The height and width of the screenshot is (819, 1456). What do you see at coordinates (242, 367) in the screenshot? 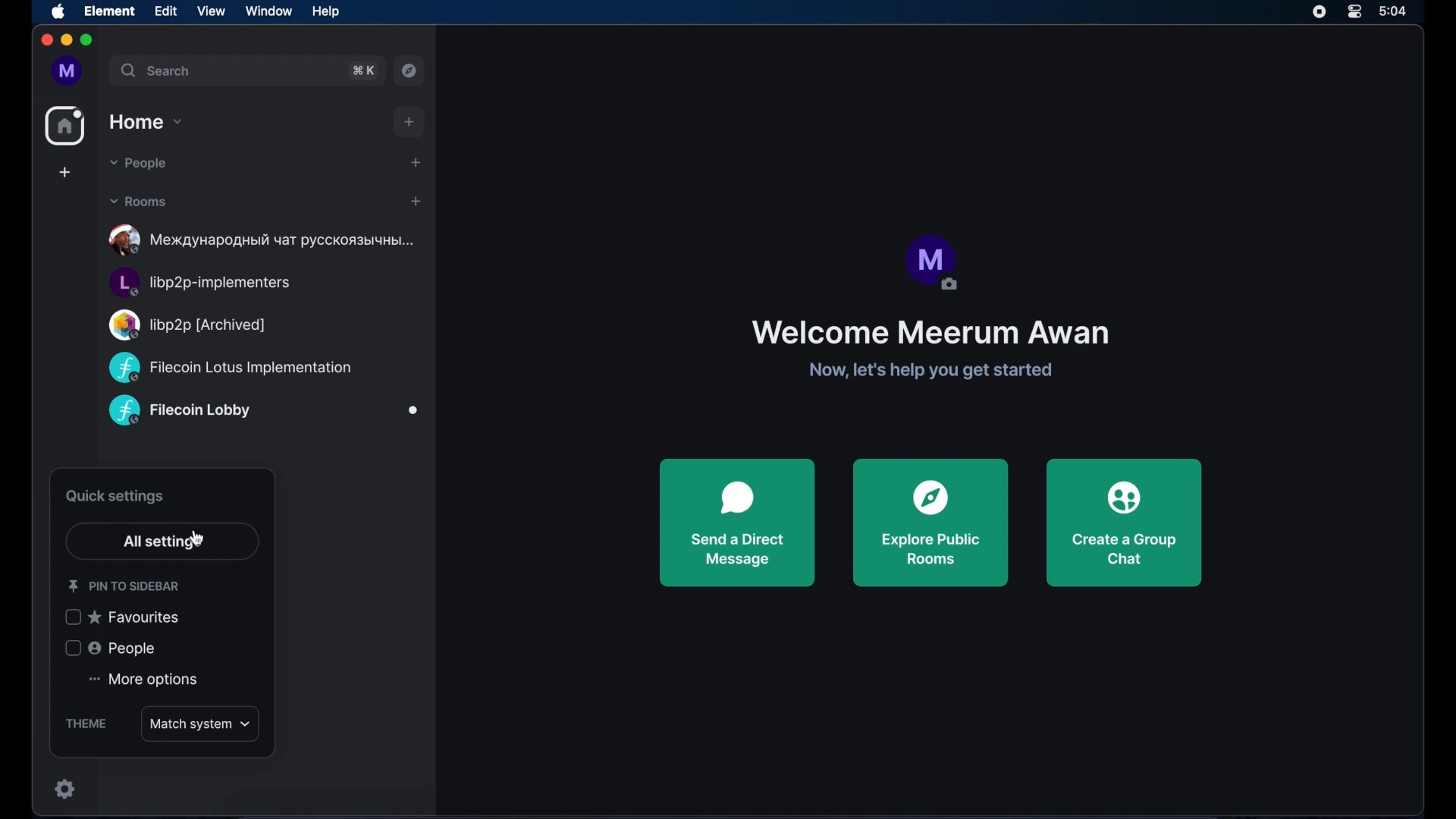
I see `(£ Filecoin Lotus Implementation` at bounding box center [242, 367].